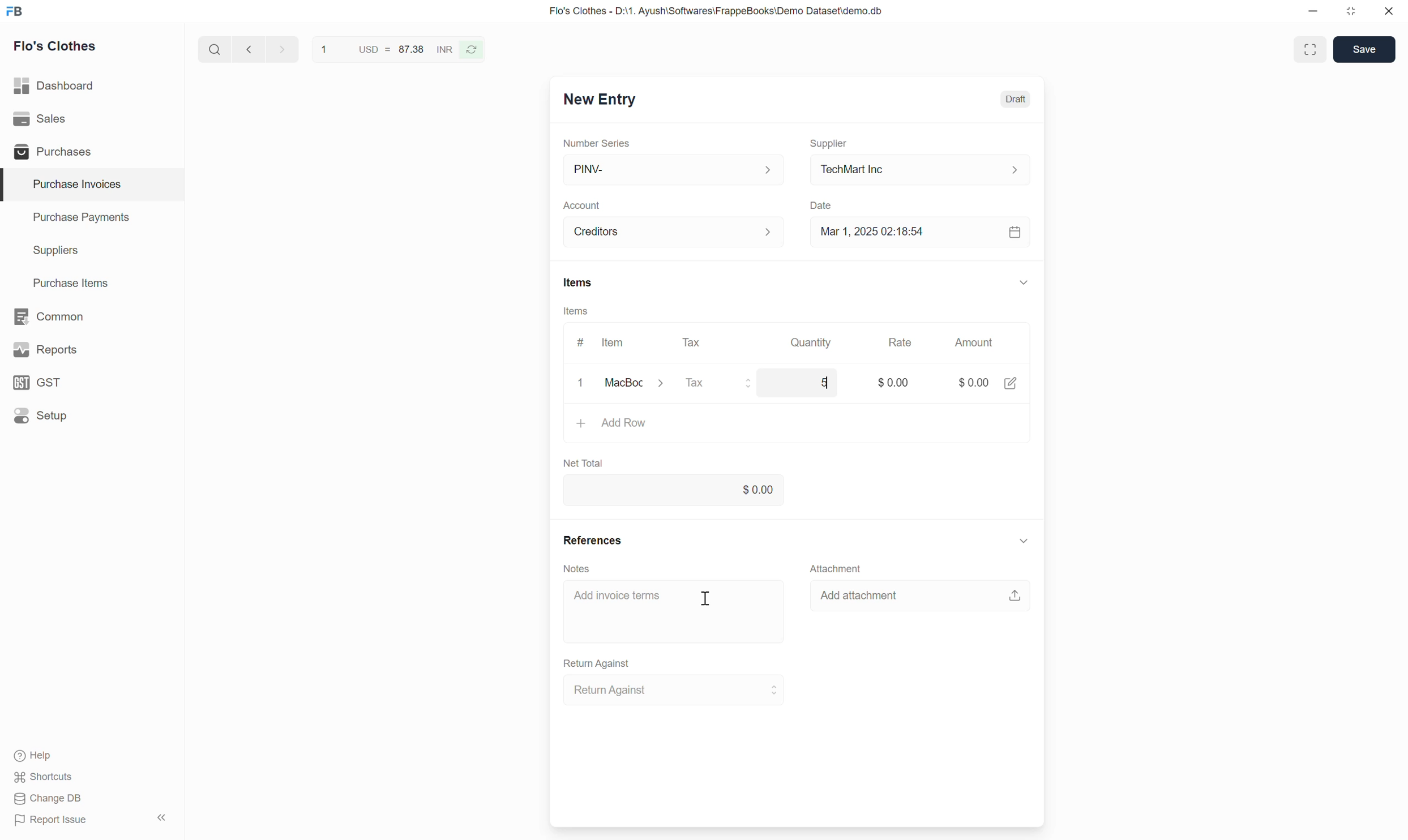  I want to click on Save, so click(1364, 49).